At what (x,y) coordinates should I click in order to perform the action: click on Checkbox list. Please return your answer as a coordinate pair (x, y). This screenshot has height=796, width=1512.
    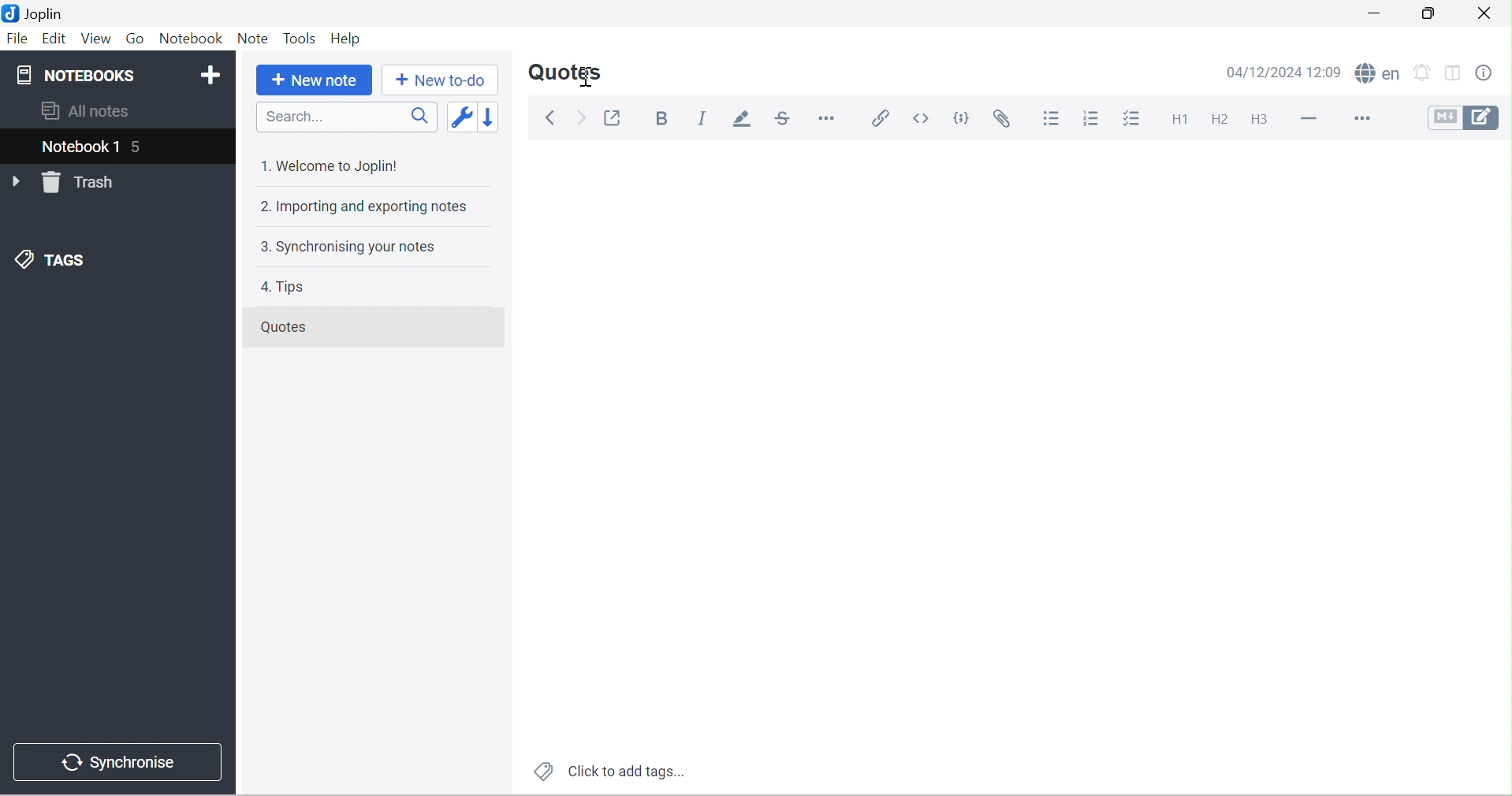
    Looking at the image, I should click on (1130, 118).